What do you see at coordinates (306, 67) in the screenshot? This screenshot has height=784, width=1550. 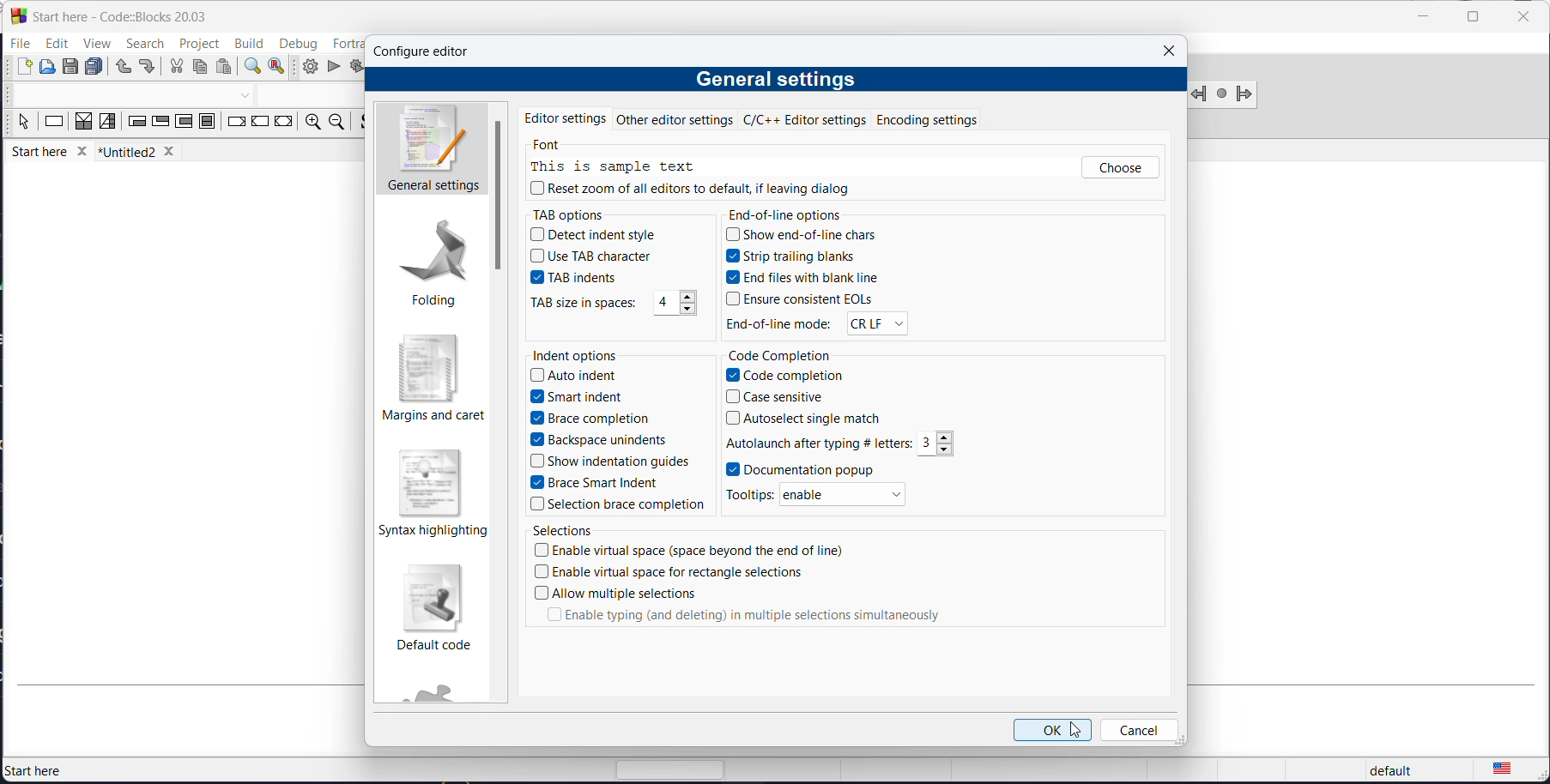 I see `build` at bounding box center [306, 67].